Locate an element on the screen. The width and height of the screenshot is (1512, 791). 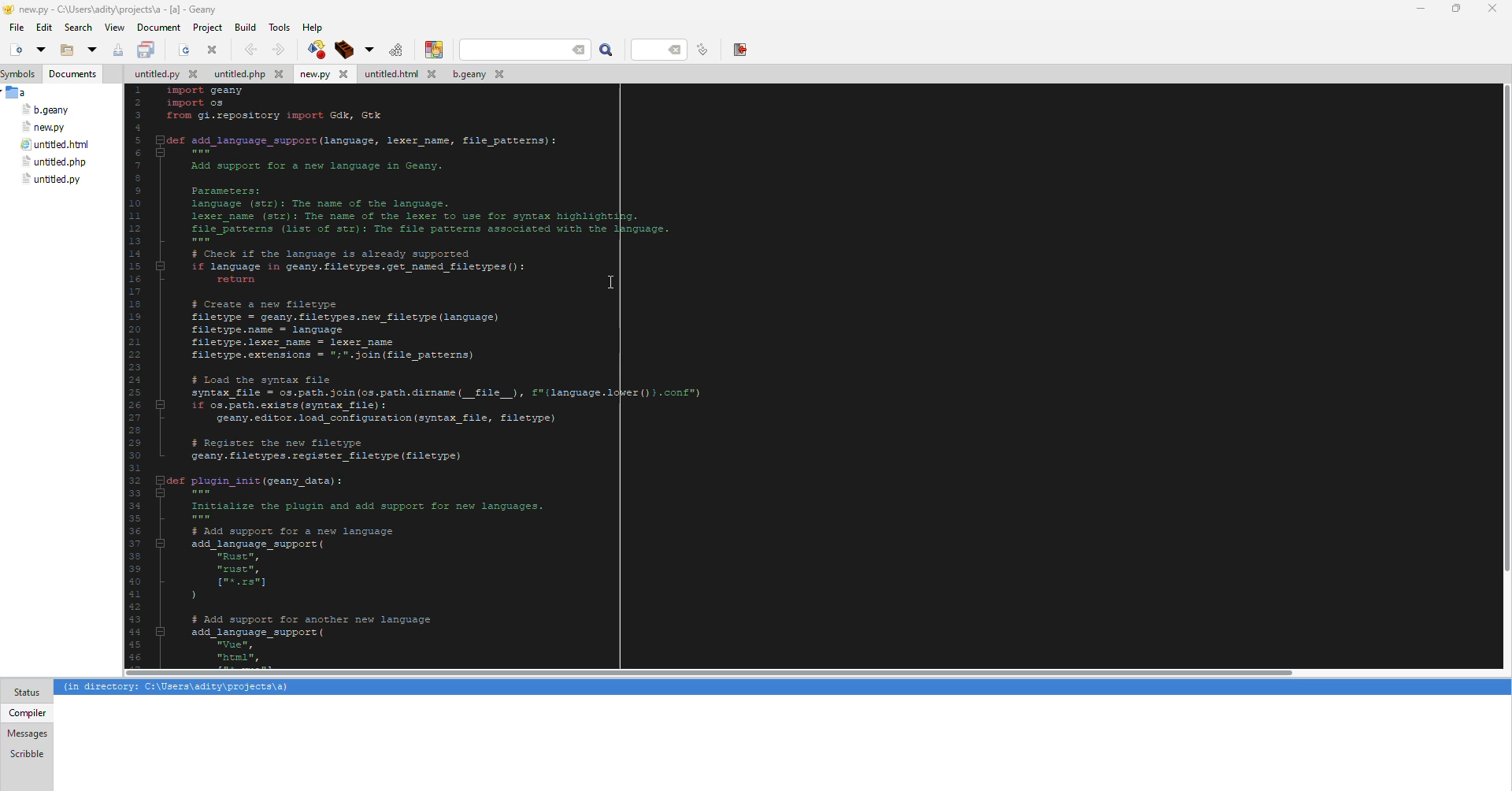
file is located at coordinates (323, 74).